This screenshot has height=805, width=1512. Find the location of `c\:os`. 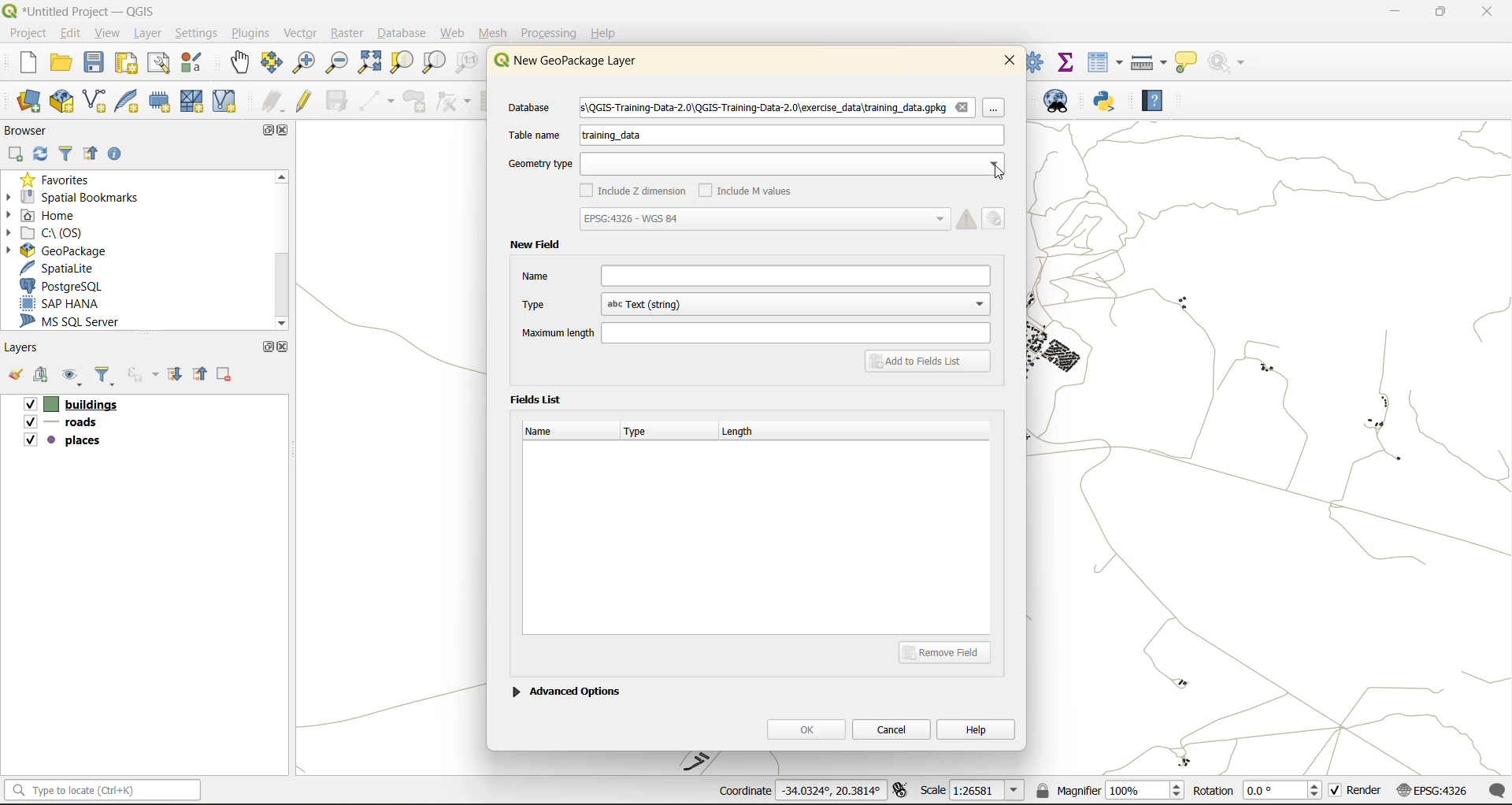

c\:os is located at coordinates (59, 232).